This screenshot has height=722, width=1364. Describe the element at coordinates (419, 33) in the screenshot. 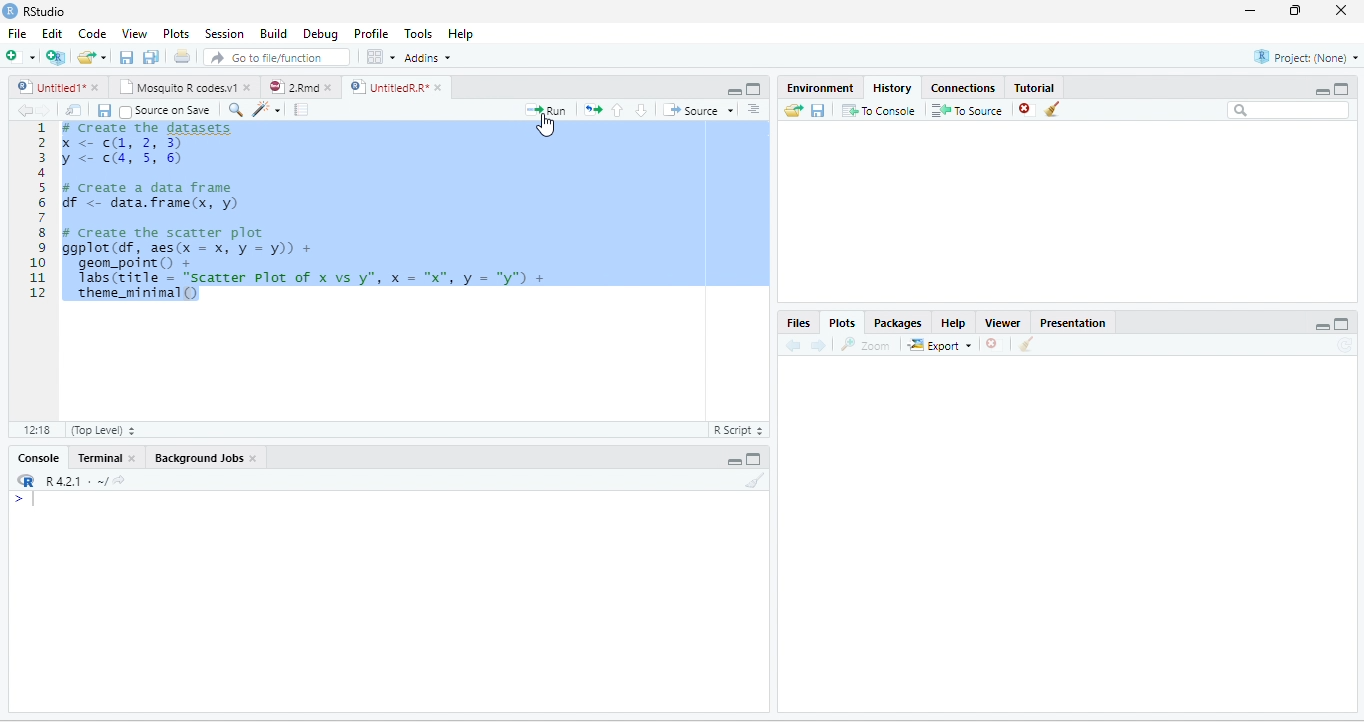

I see `Tools` at that location.